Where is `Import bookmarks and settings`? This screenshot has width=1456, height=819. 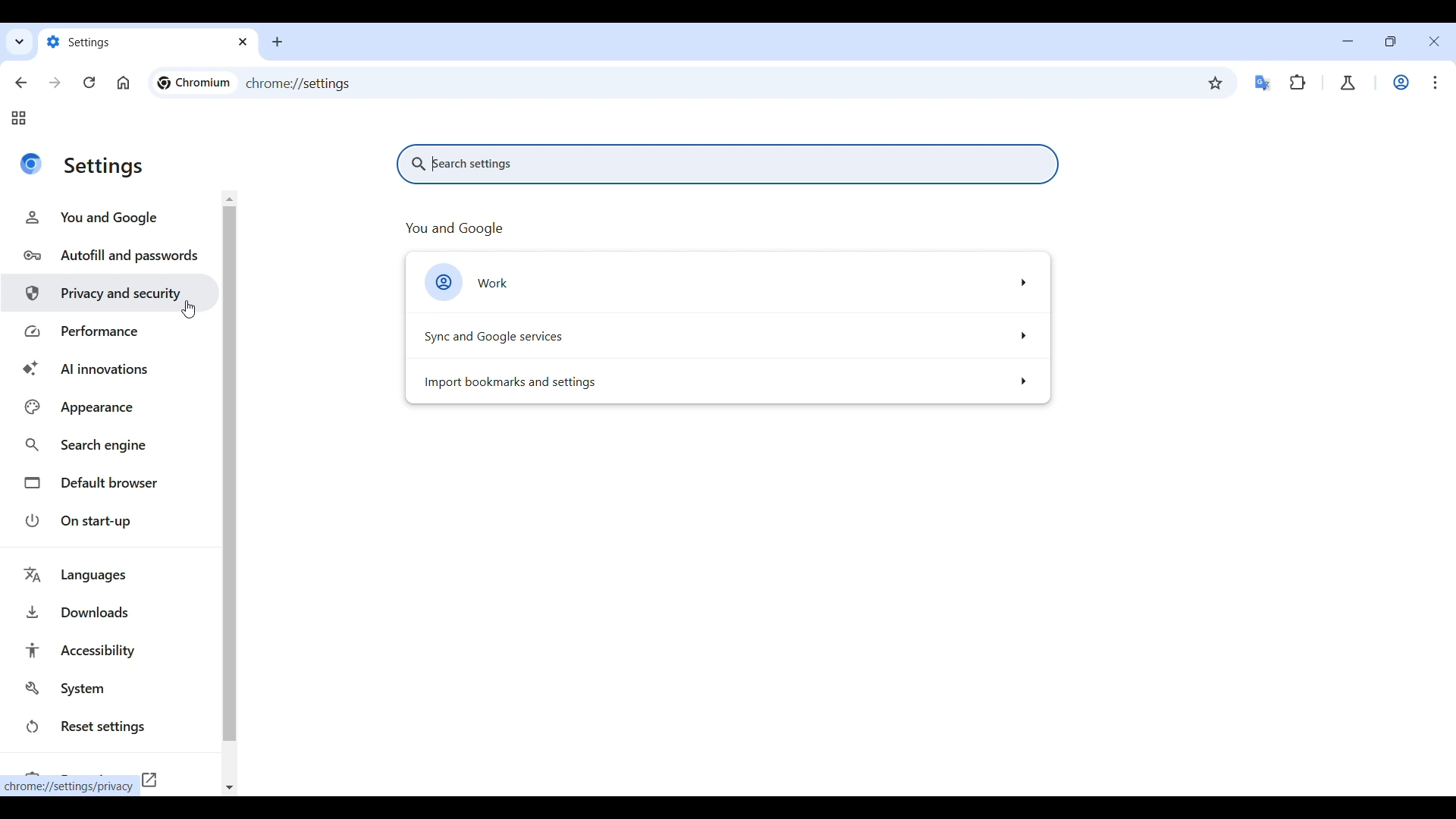 Import bookmarks and settings is located at coordinates (726, 383).